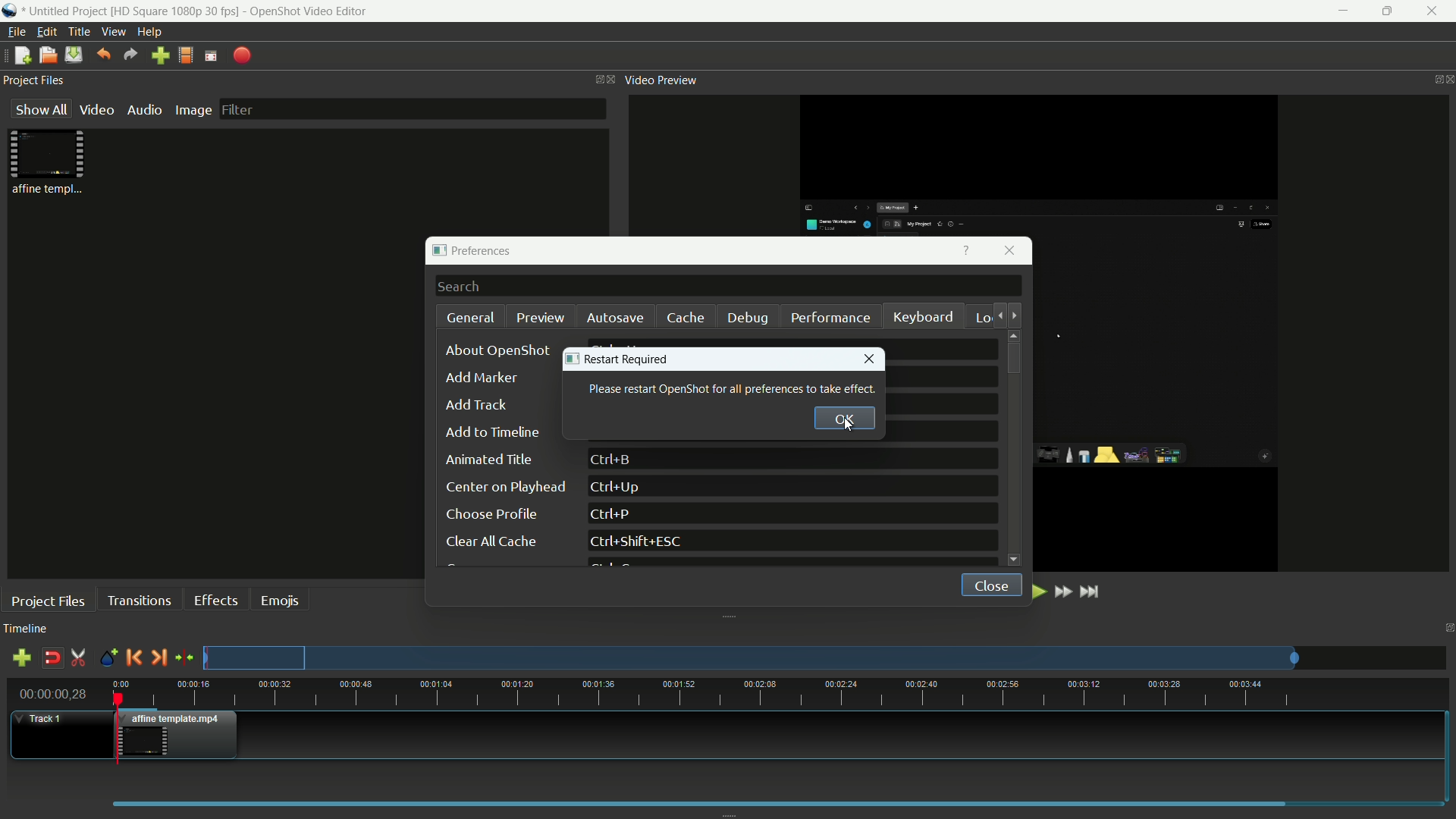 The width and height of the screenshot is (1456, 819). Describe the element at coordinates (74, 55) in the screenshot. I see `save file` at that location.